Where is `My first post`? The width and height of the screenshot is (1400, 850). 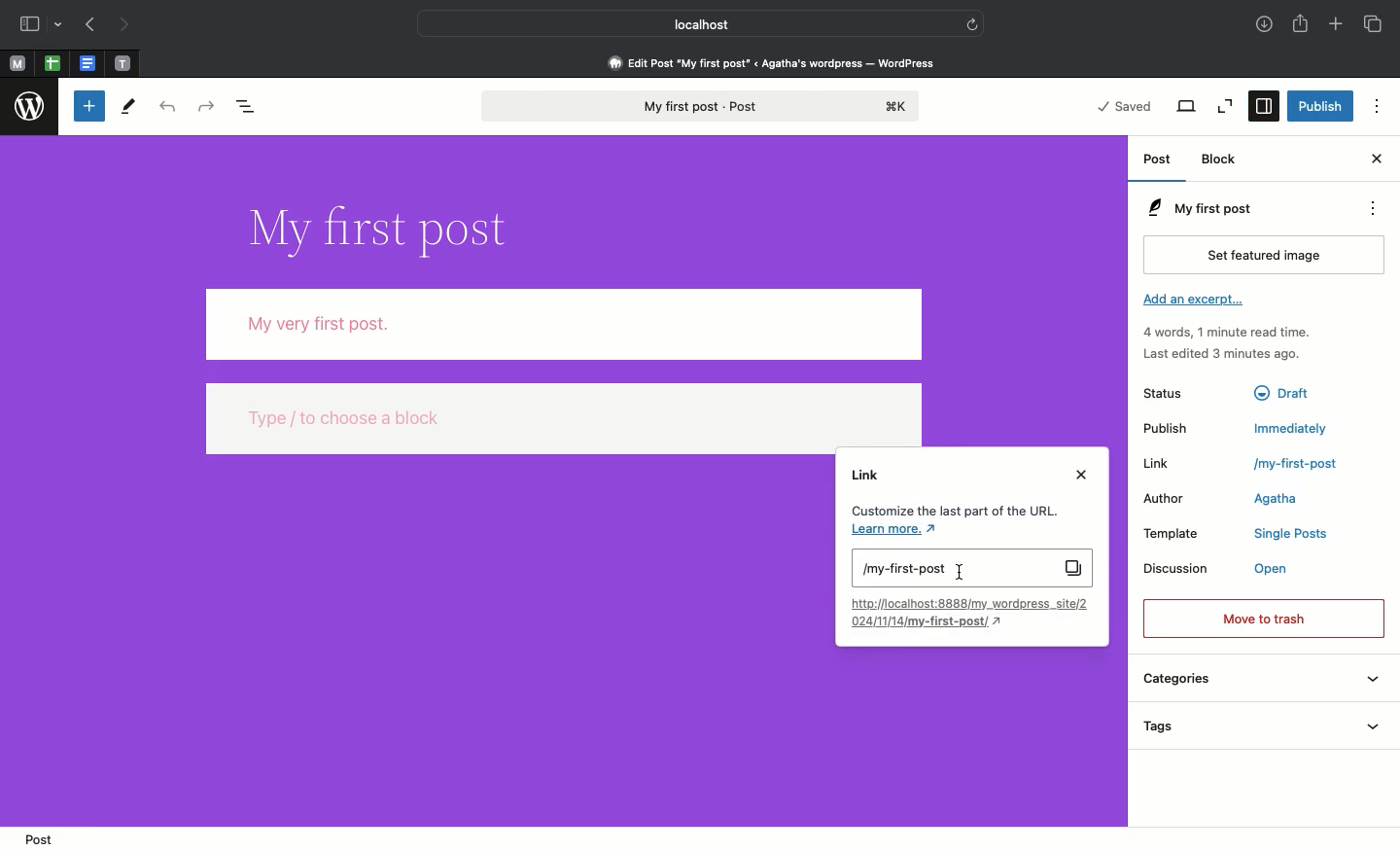 My first post is located at coordinates (1227, 206).